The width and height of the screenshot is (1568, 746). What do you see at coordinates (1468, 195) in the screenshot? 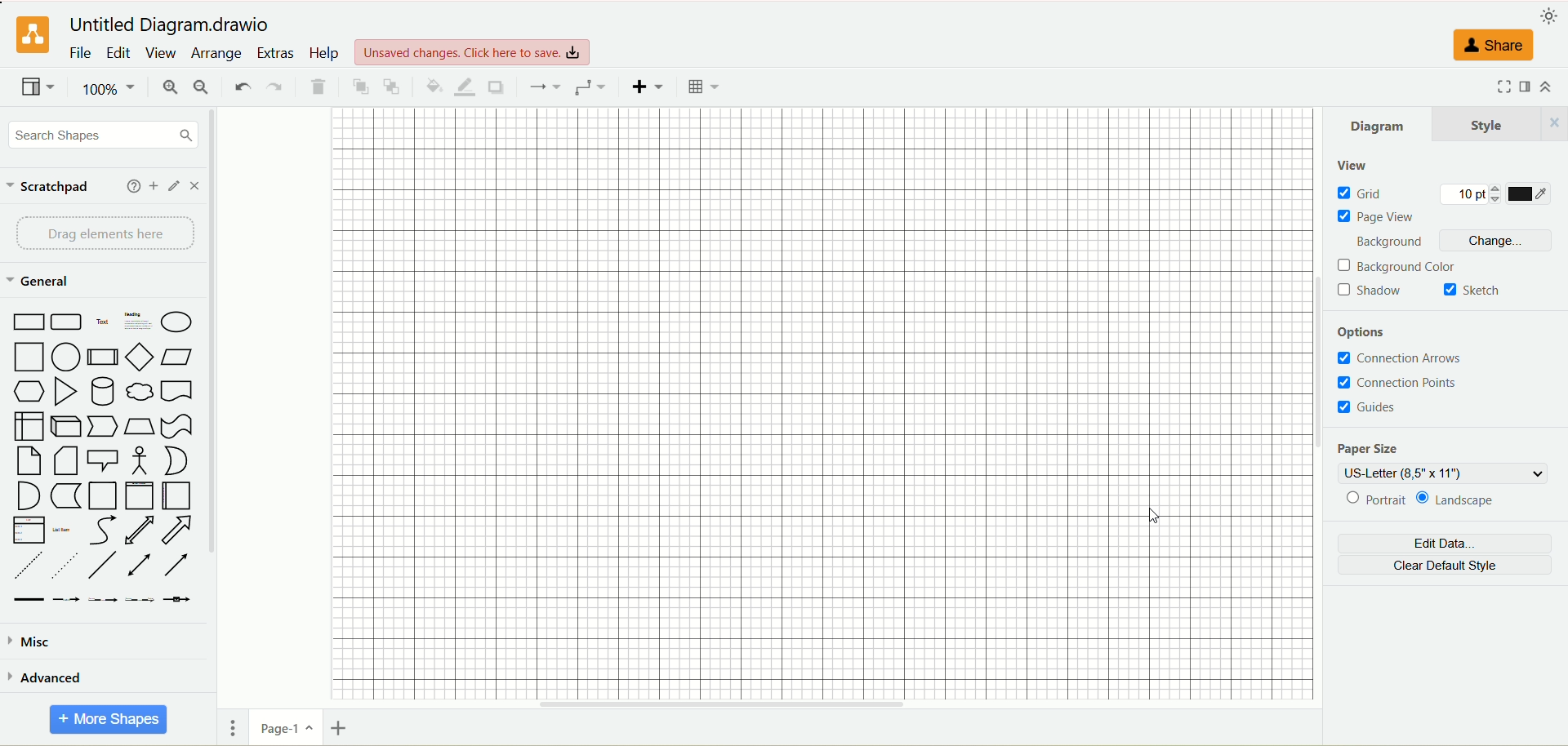
I see `10 pt` at bounding box center [1468, 195].